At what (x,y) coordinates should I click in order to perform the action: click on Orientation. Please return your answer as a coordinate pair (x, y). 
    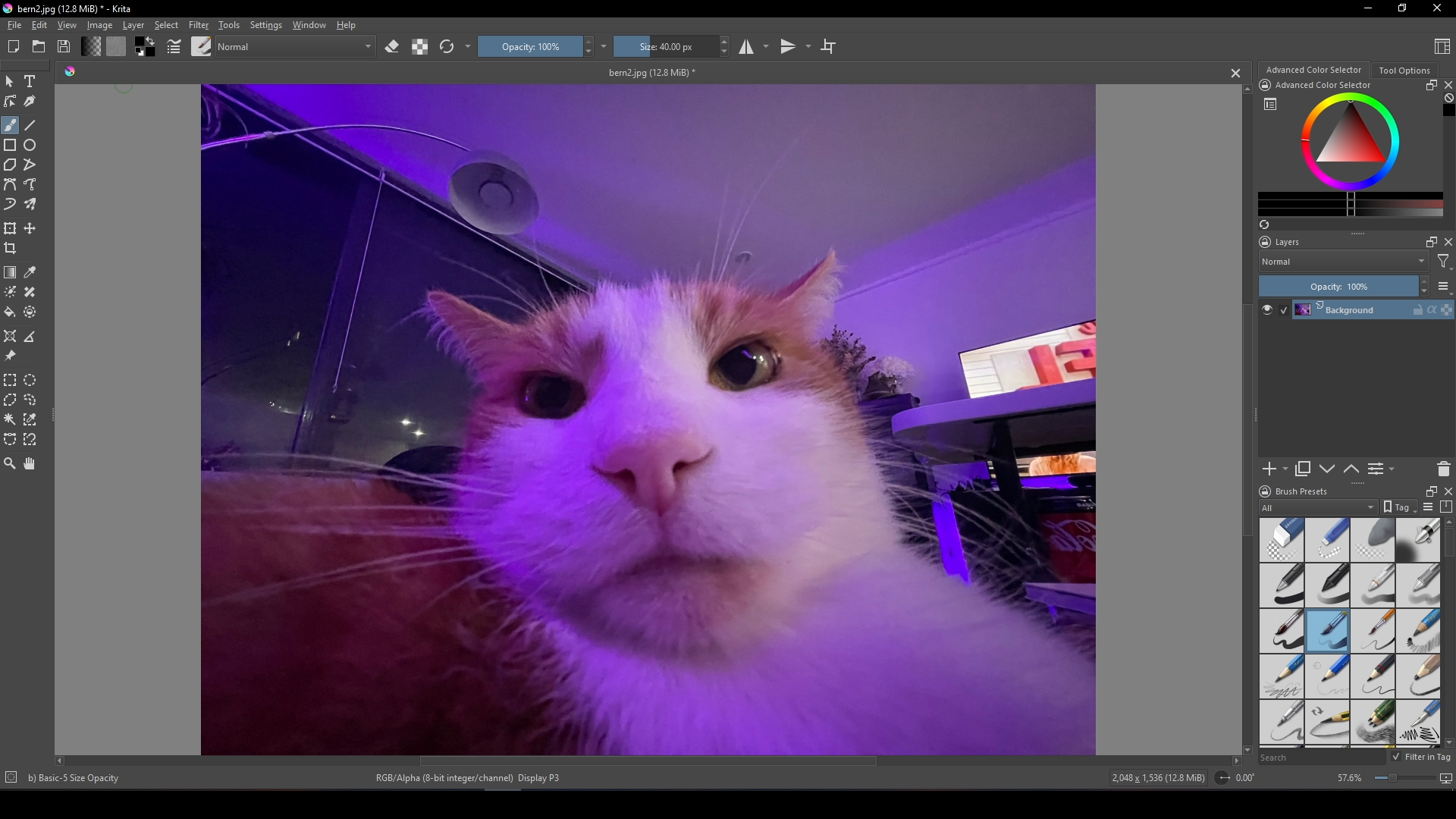
    Looking at the image, I should click on (1238, 777).